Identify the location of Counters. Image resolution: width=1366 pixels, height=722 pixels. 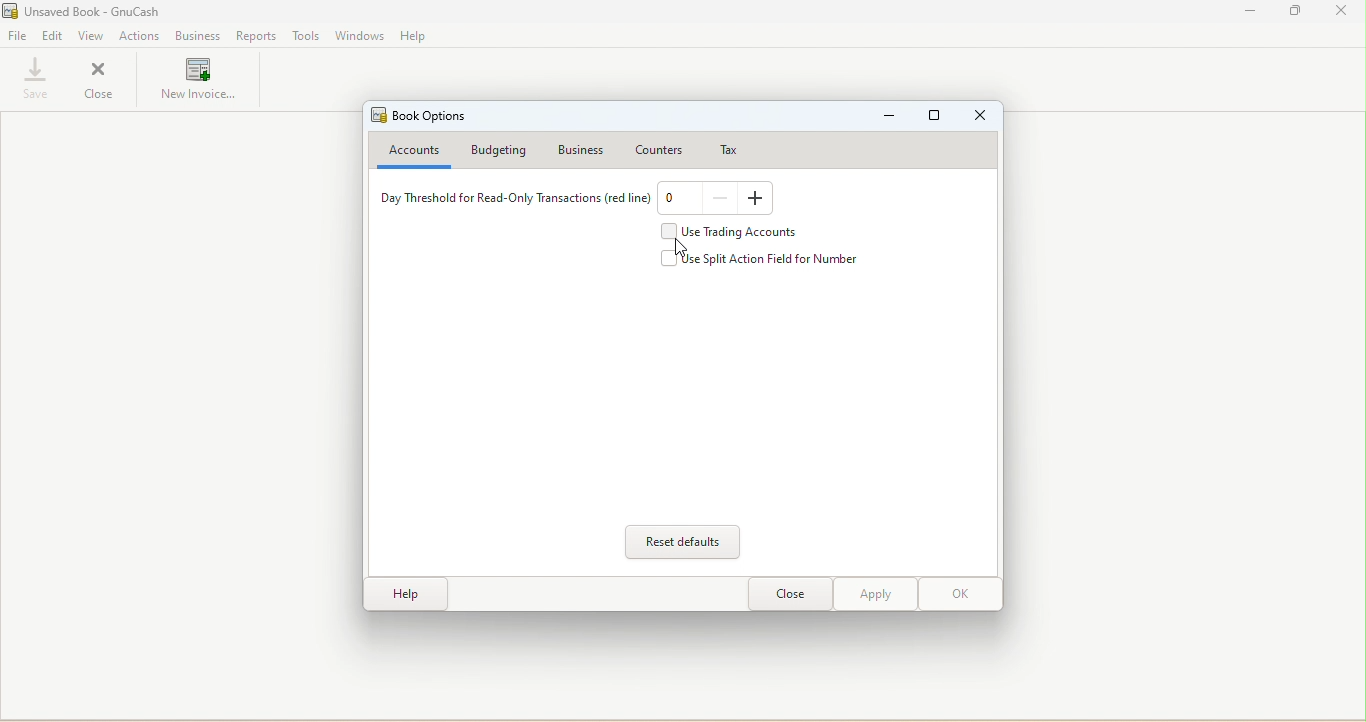
(658, 147).